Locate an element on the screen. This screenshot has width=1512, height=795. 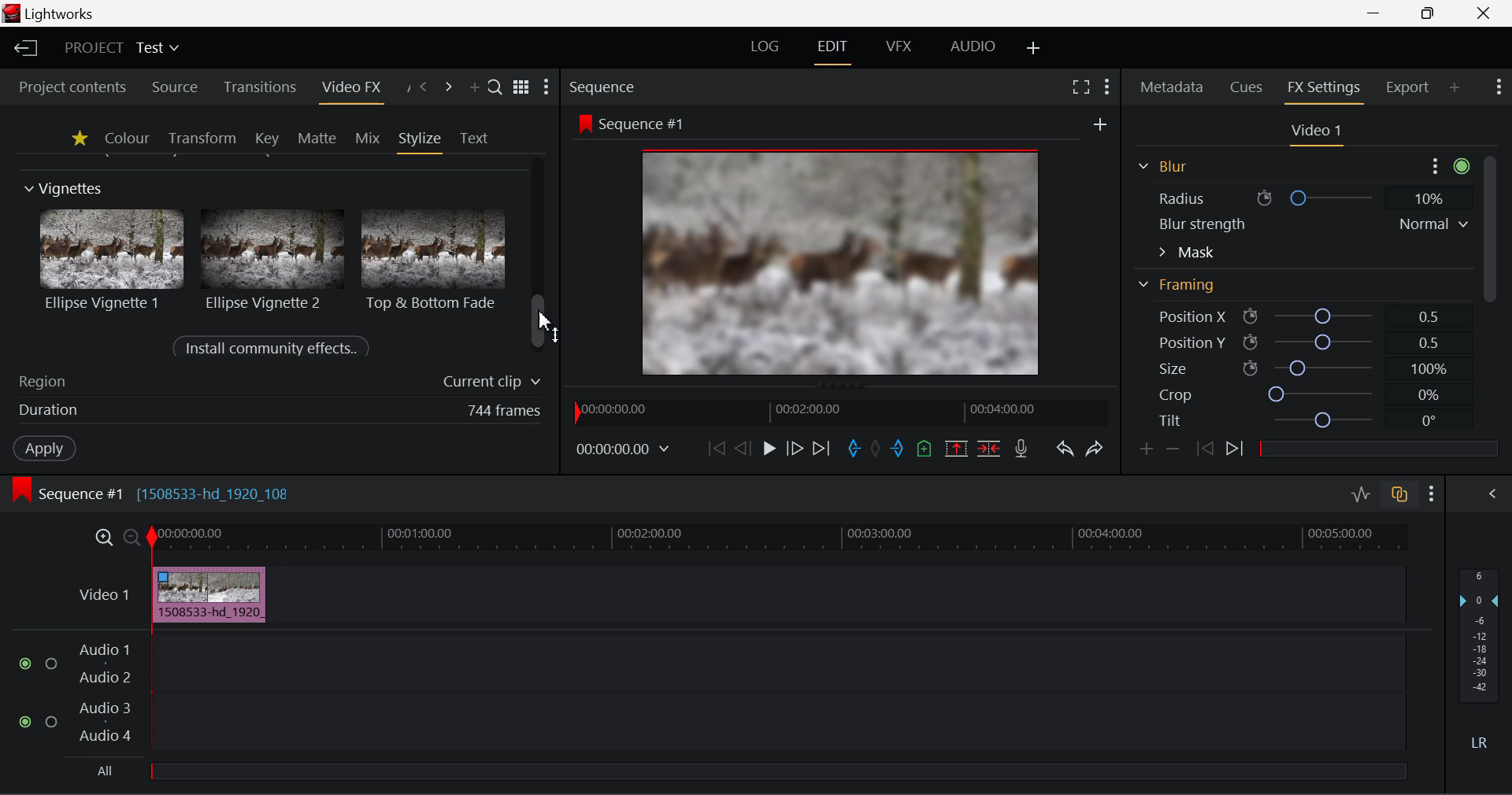
Go Back is located at coordinates (743, 449).